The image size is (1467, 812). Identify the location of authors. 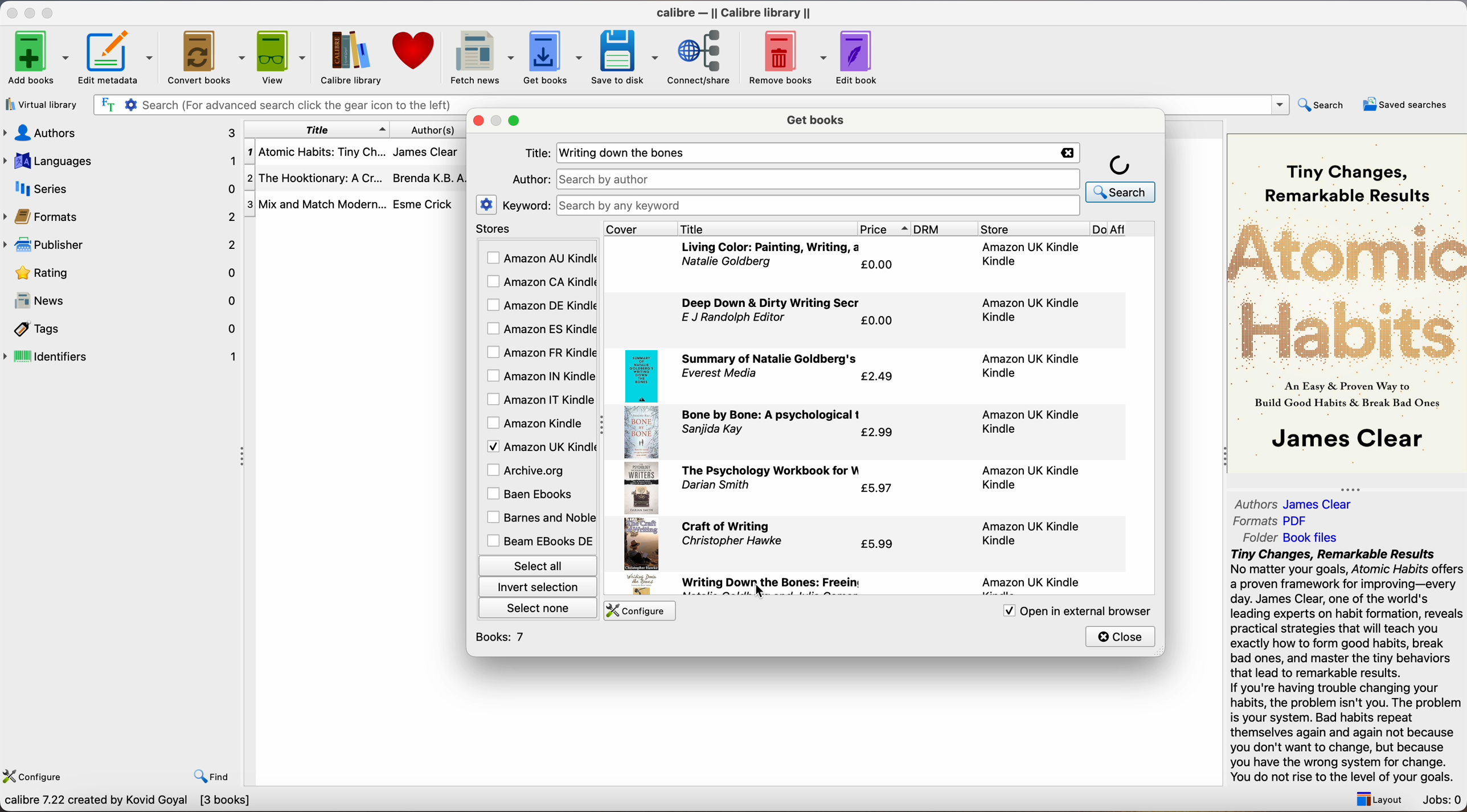
(118, 132).